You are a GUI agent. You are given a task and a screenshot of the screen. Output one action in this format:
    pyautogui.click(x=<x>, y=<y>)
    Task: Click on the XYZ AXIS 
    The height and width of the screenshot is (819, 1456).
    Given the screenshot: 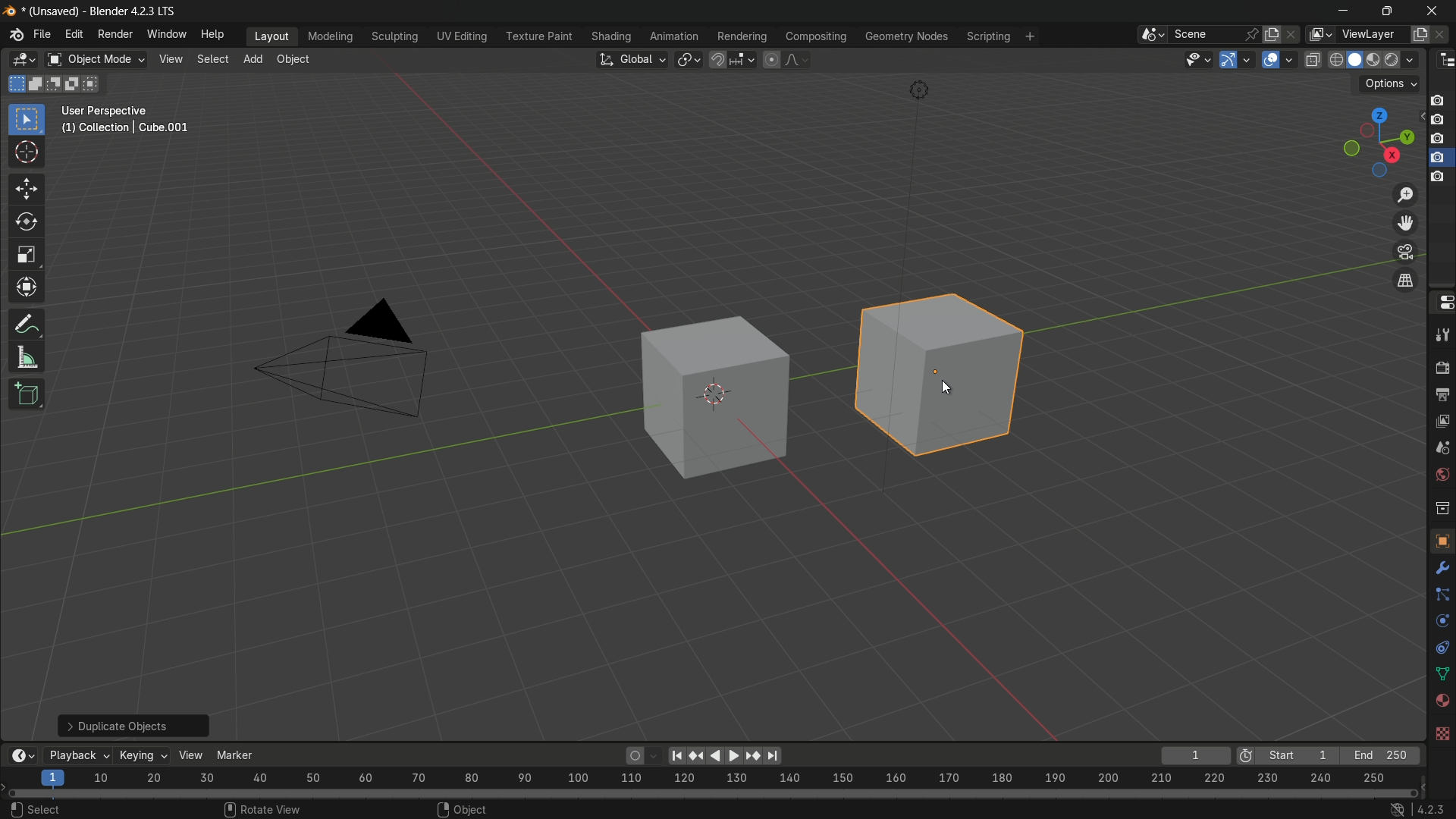 What is the action you would take?
    pyautogui.click(x=176, y=810)
    